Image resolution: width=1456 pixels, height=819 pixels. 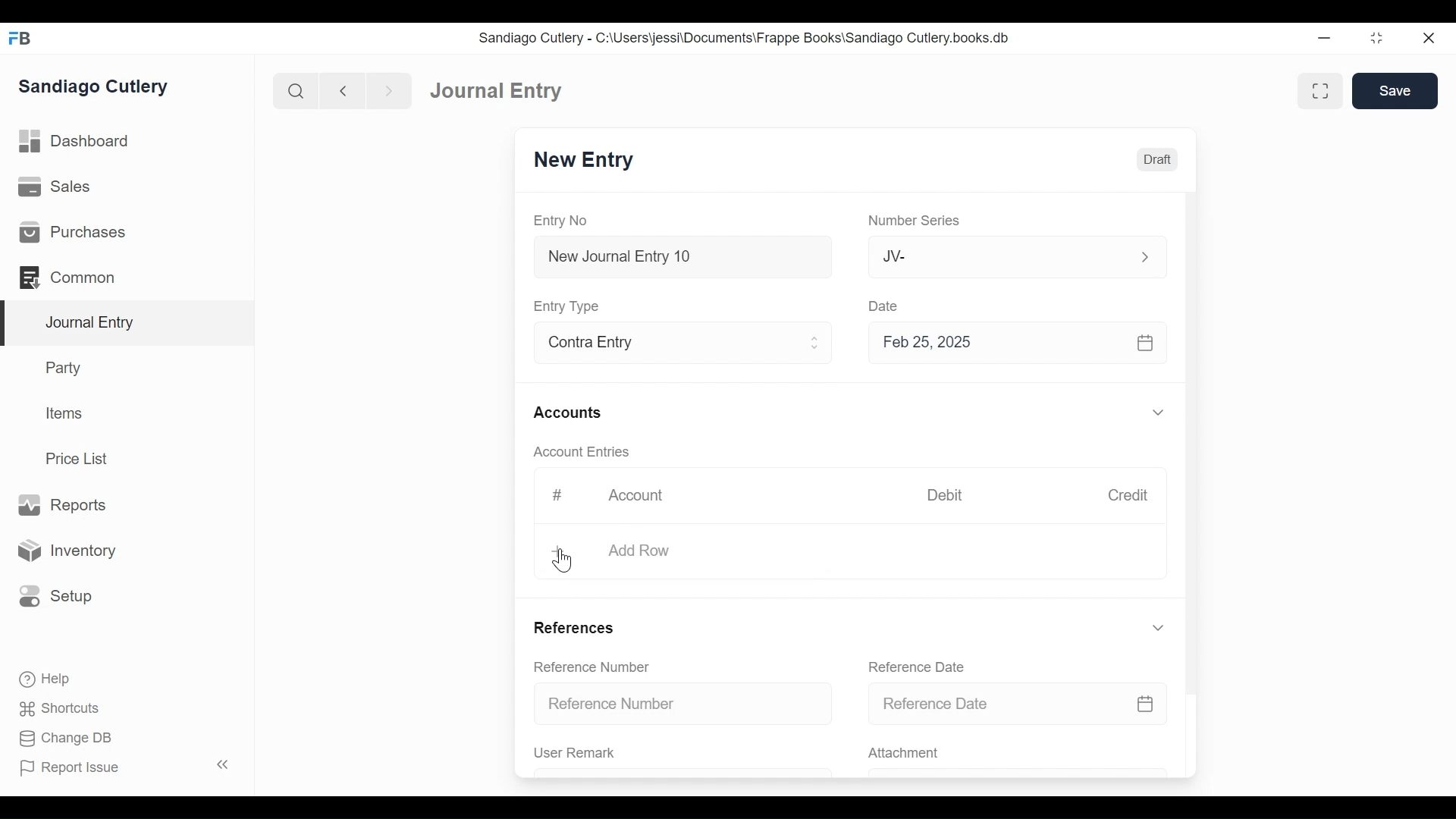 What do you see at coordinates (56, 595) in the screenshot?
I see `Setup` at bounding box center [56, 595].